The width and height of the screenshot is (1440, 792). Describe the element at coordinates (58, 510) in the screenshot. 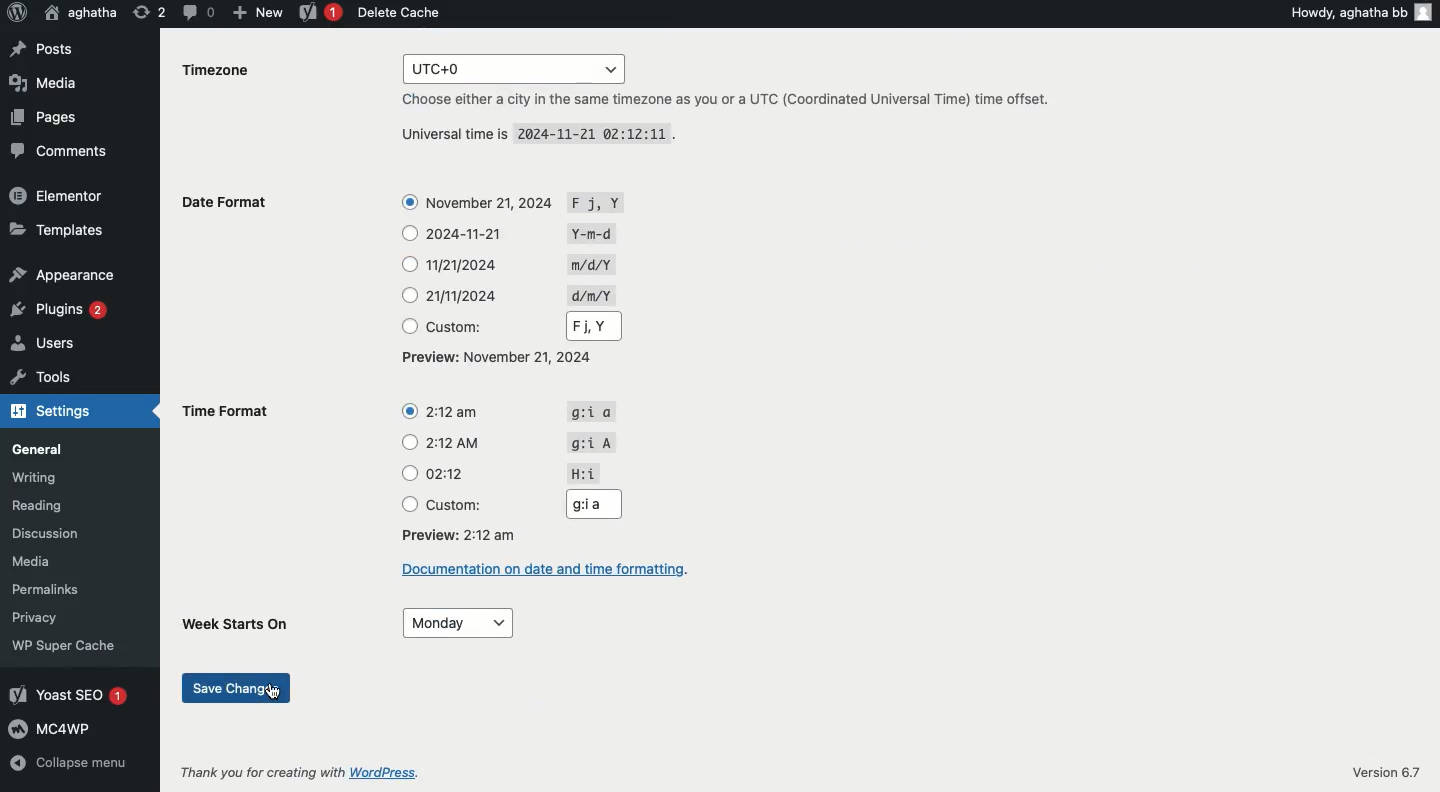

I see `Reading` at that location.